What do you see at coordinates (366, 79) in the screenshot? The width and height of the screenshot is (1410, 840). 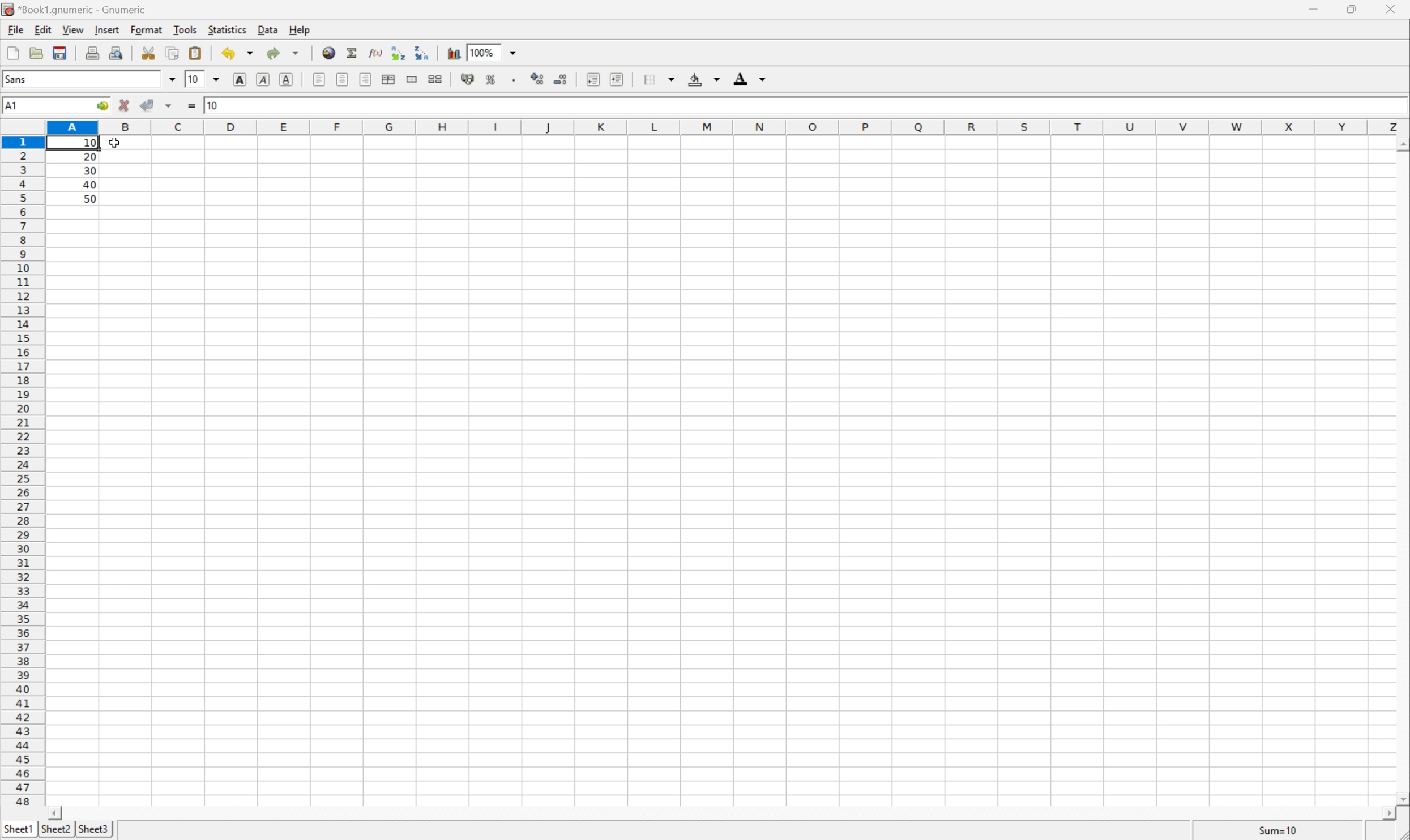 I see `Align Right` at bounding box center [366, 79].